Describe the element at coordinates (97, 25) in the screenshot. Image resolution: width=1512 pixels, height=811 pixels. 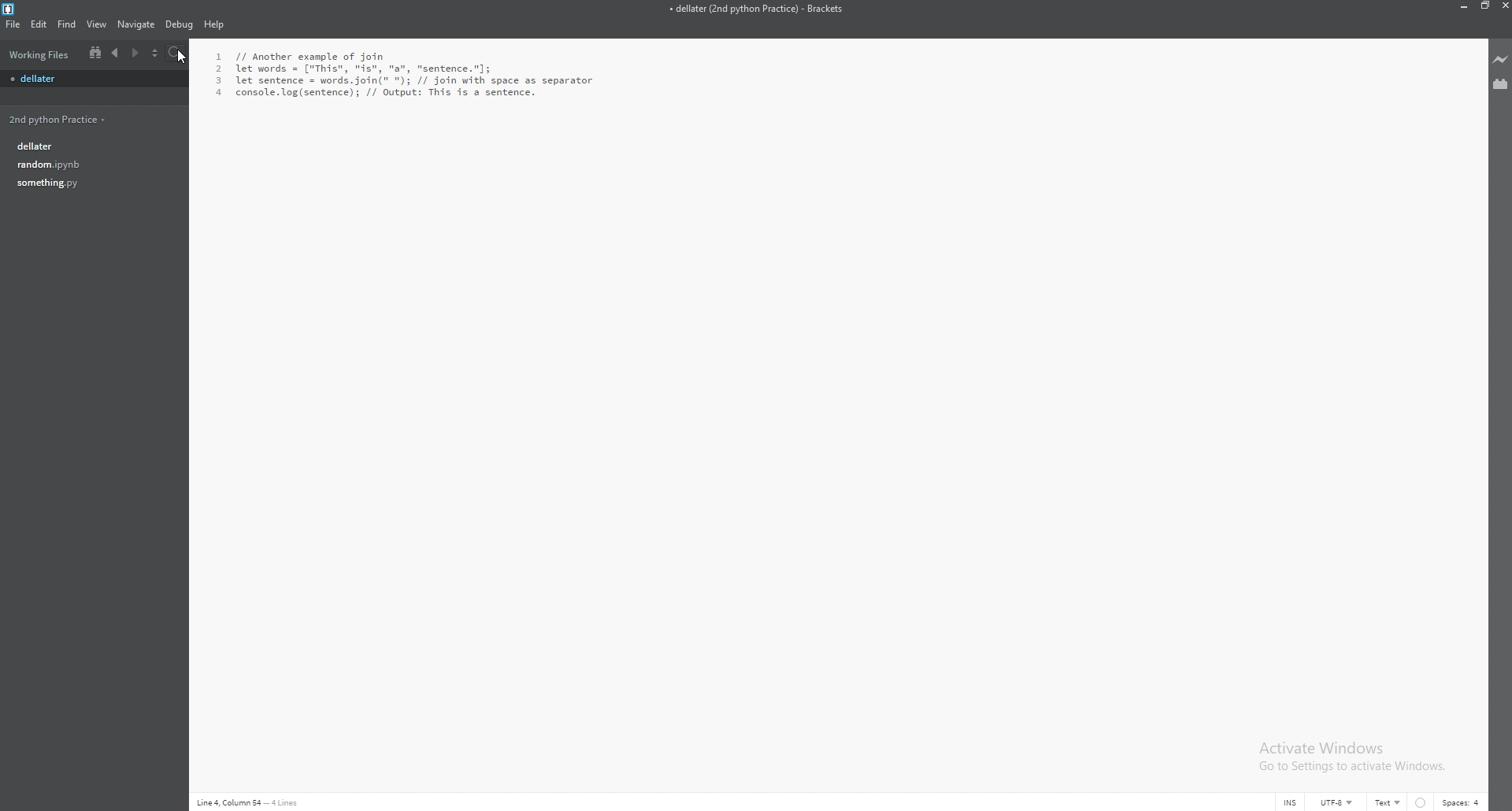
I see `view` at that location.